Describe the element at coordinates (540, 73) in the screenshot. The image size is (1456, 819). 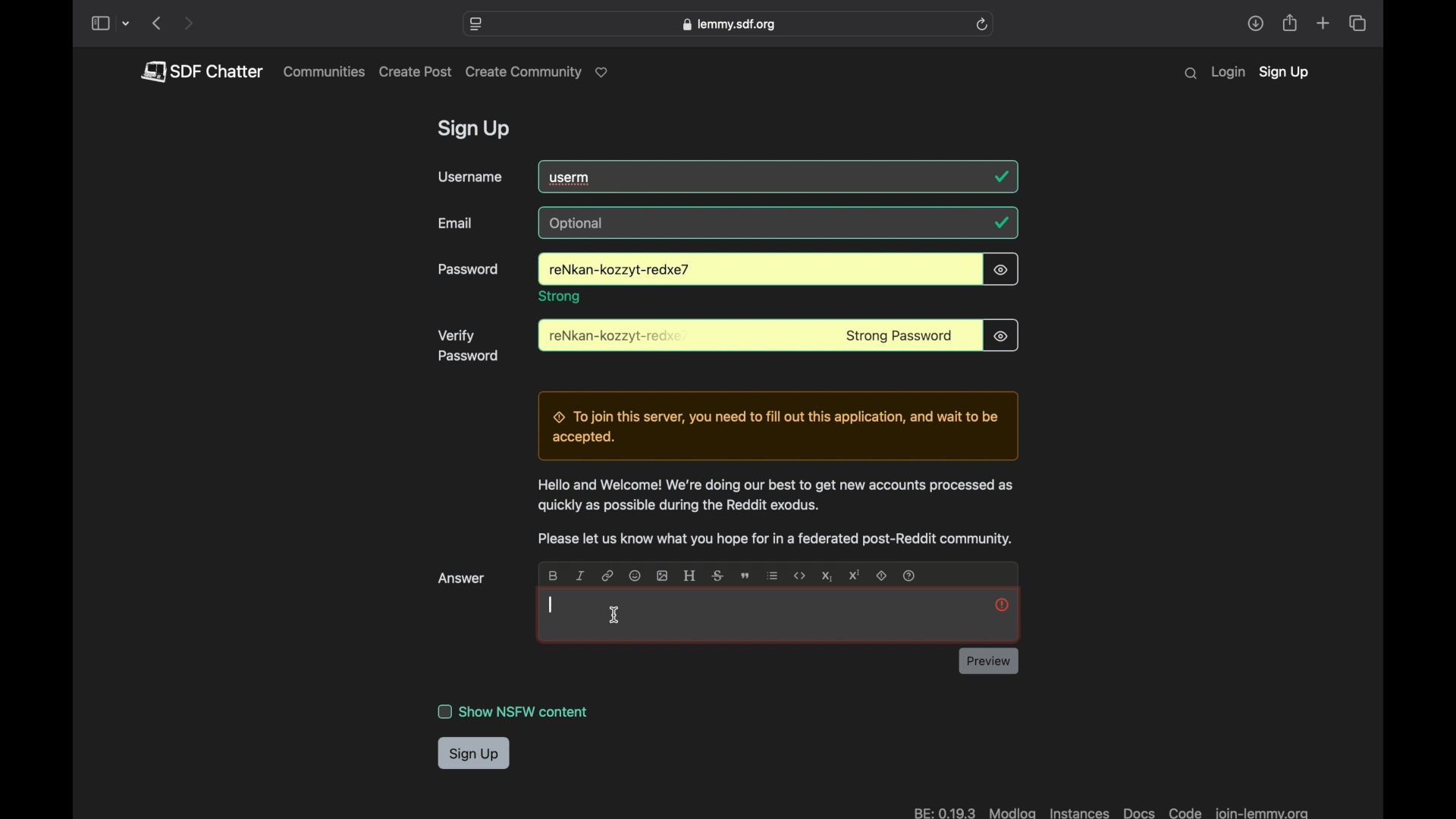
I see `create community` at that location.